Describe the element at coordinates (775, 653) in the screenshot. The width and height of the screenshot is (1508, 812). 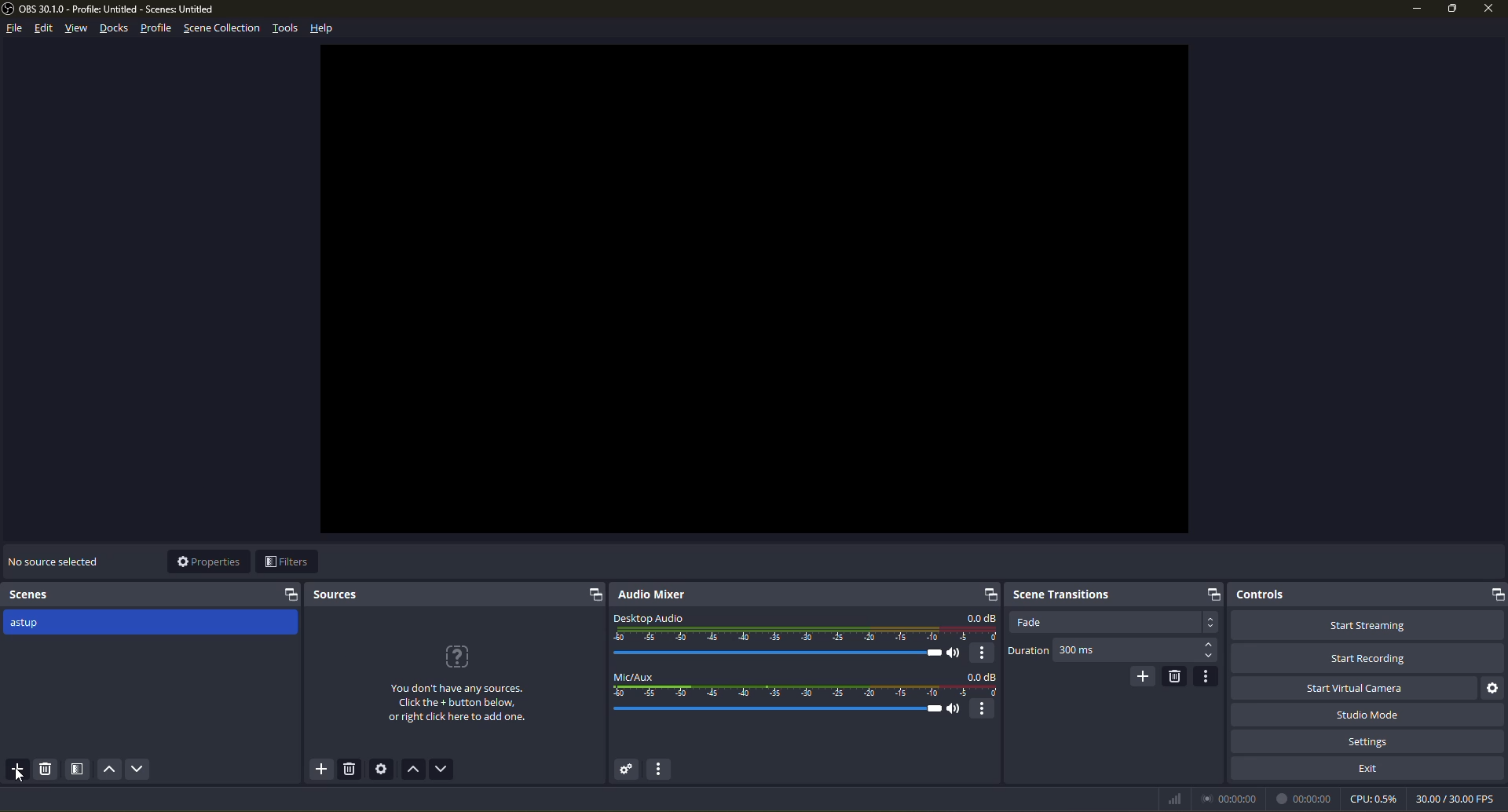
I see `sound level` at that location.